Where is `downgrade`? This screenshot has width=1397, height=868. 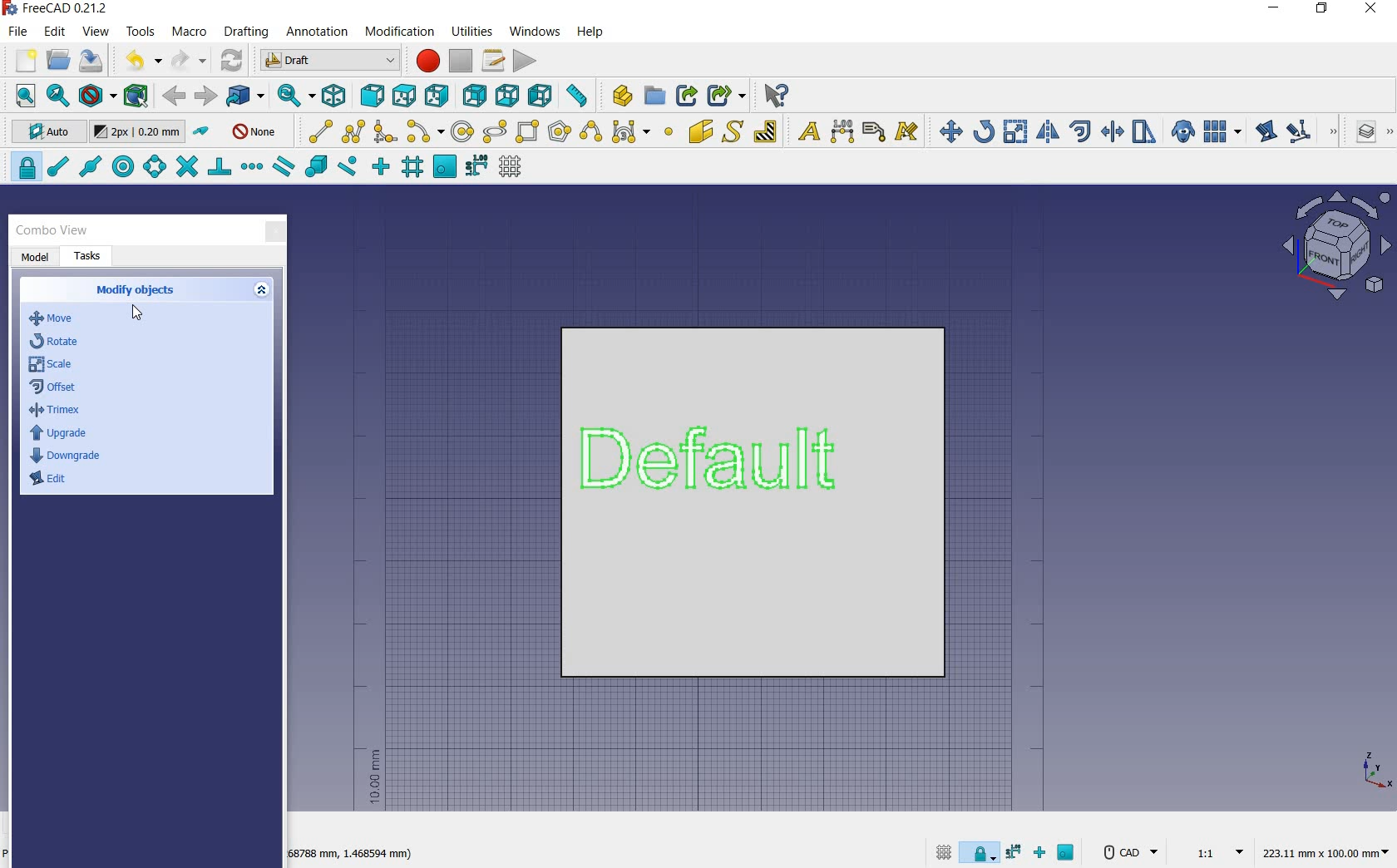 downgrade is located at coordinates (68, 456).